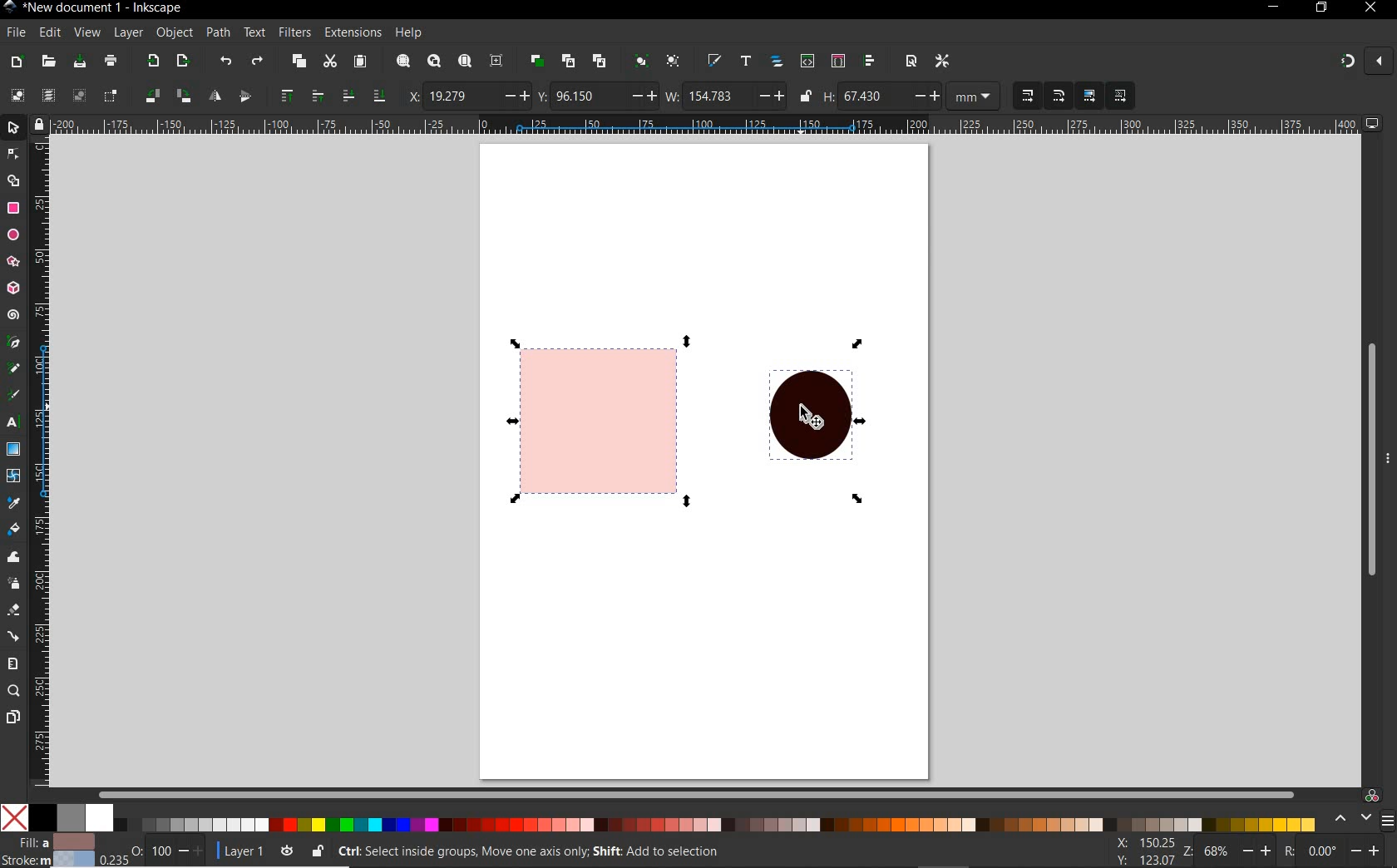 Image resolution: width=1397 pixels, height=868 pixels. What do you see at coordinates (12, 152) in the screenshot?
I see `node tool` at bounding box center [12, 152].